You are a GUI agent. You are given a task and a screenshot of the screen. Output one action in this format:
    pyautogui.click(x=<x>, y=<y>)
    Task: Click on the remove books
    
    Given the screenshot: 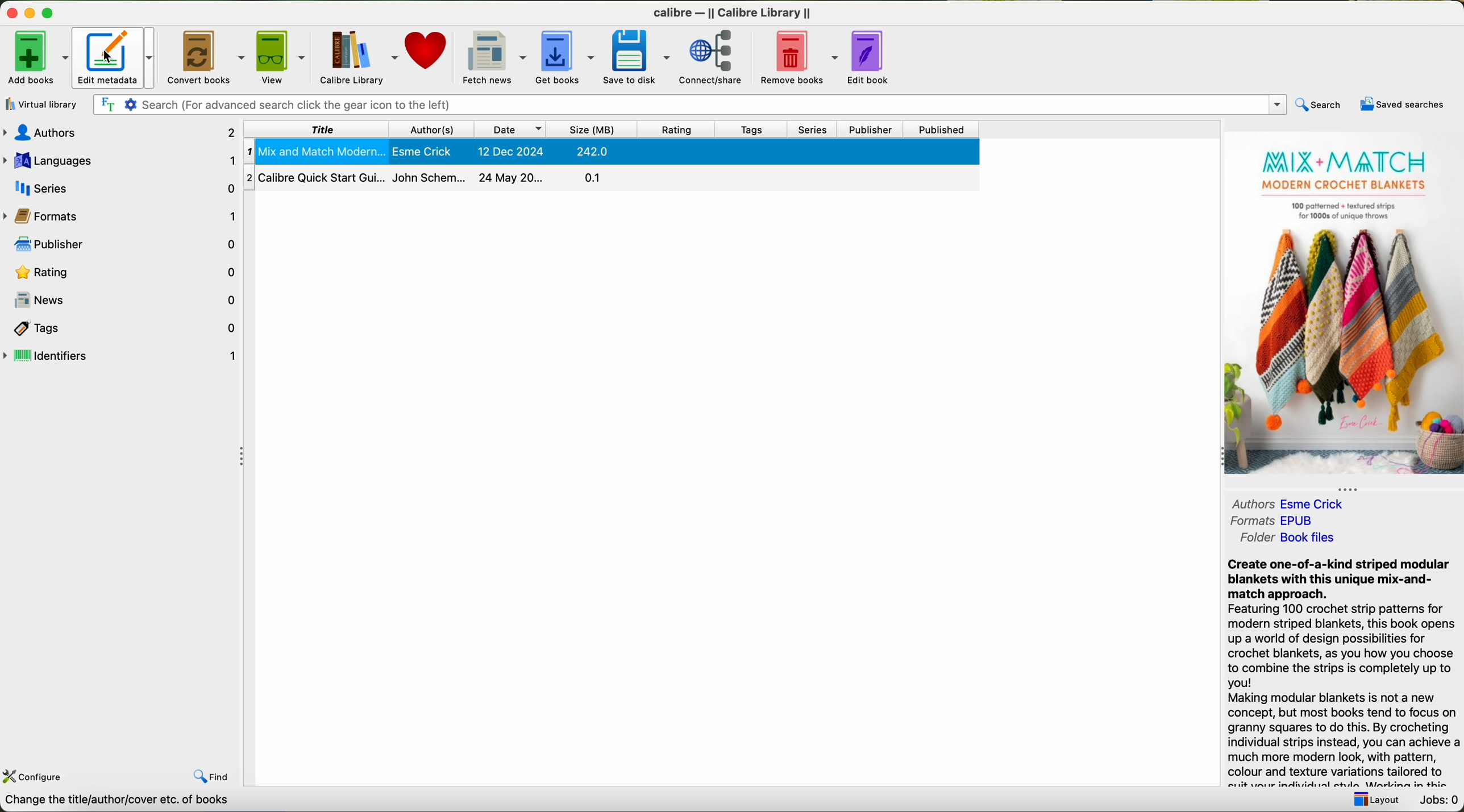 What is the action you would take?
    pyautogui.click(x=798, y=56)
    